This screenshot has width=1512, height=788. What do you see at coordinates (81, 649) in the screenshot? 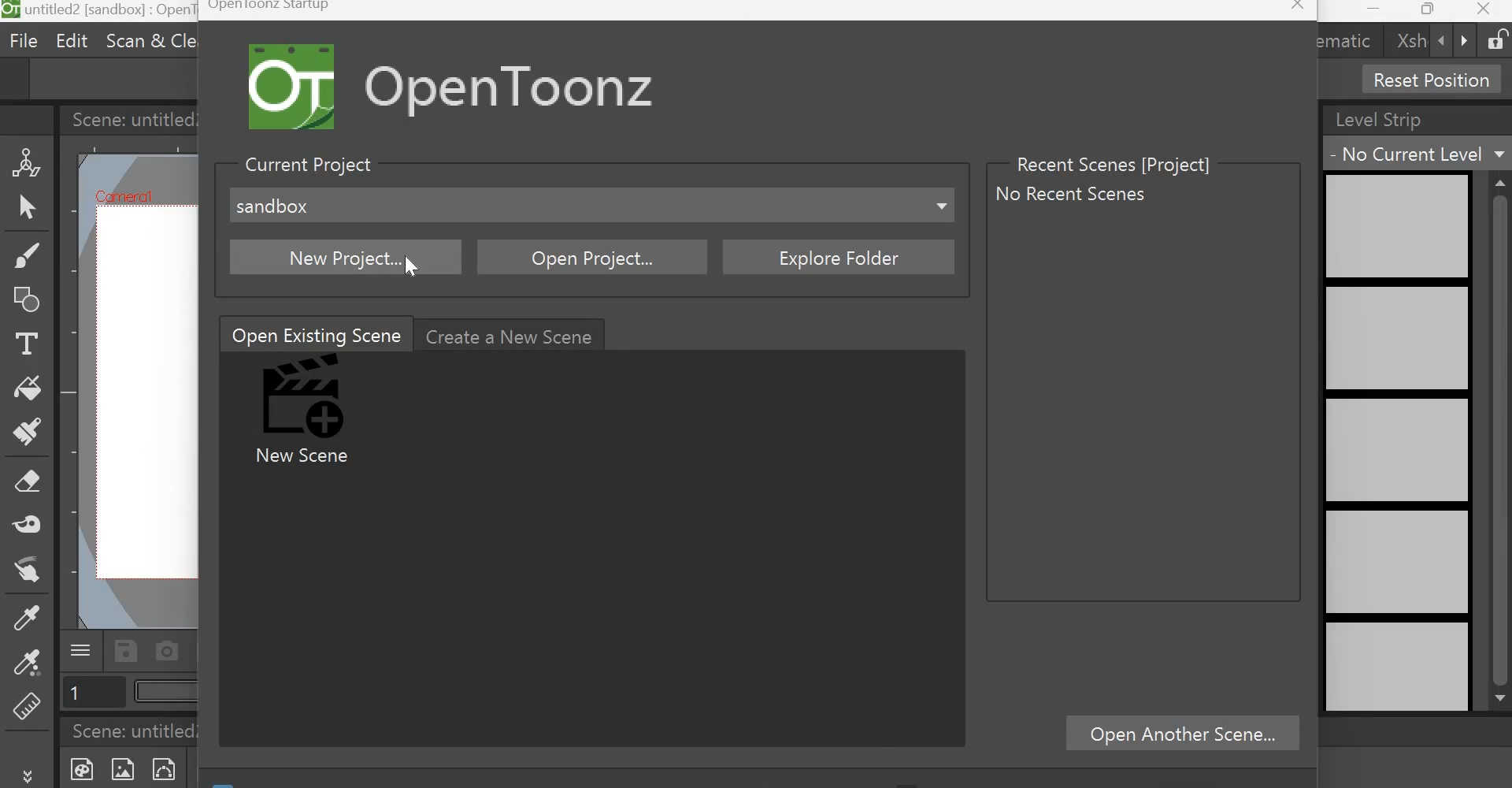
I see `Menu` at bounding box center [81, 649].